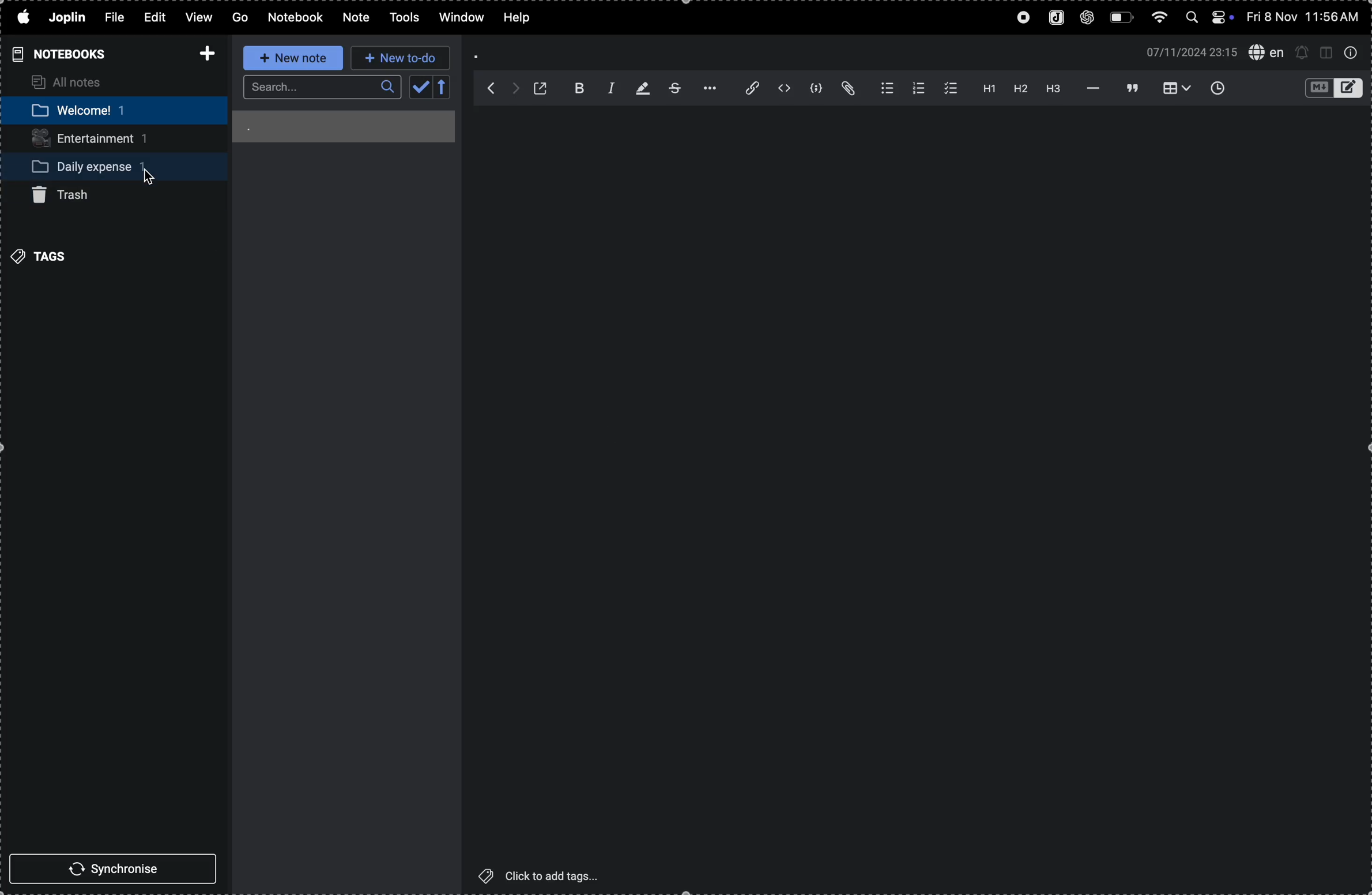  I want to click on edit, so click(149, 16).